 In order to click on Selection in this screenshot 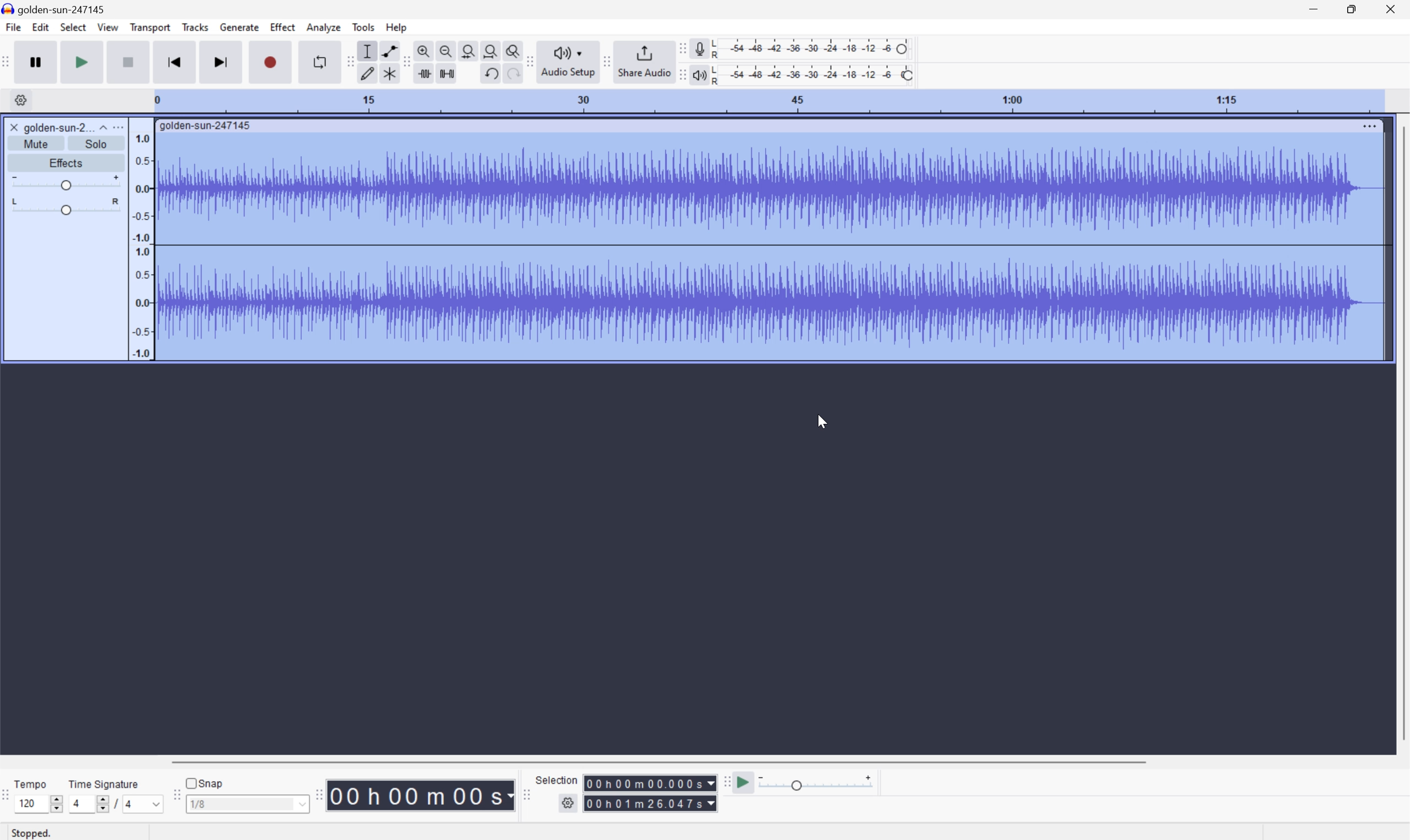, I will do `click(650, 803)`.